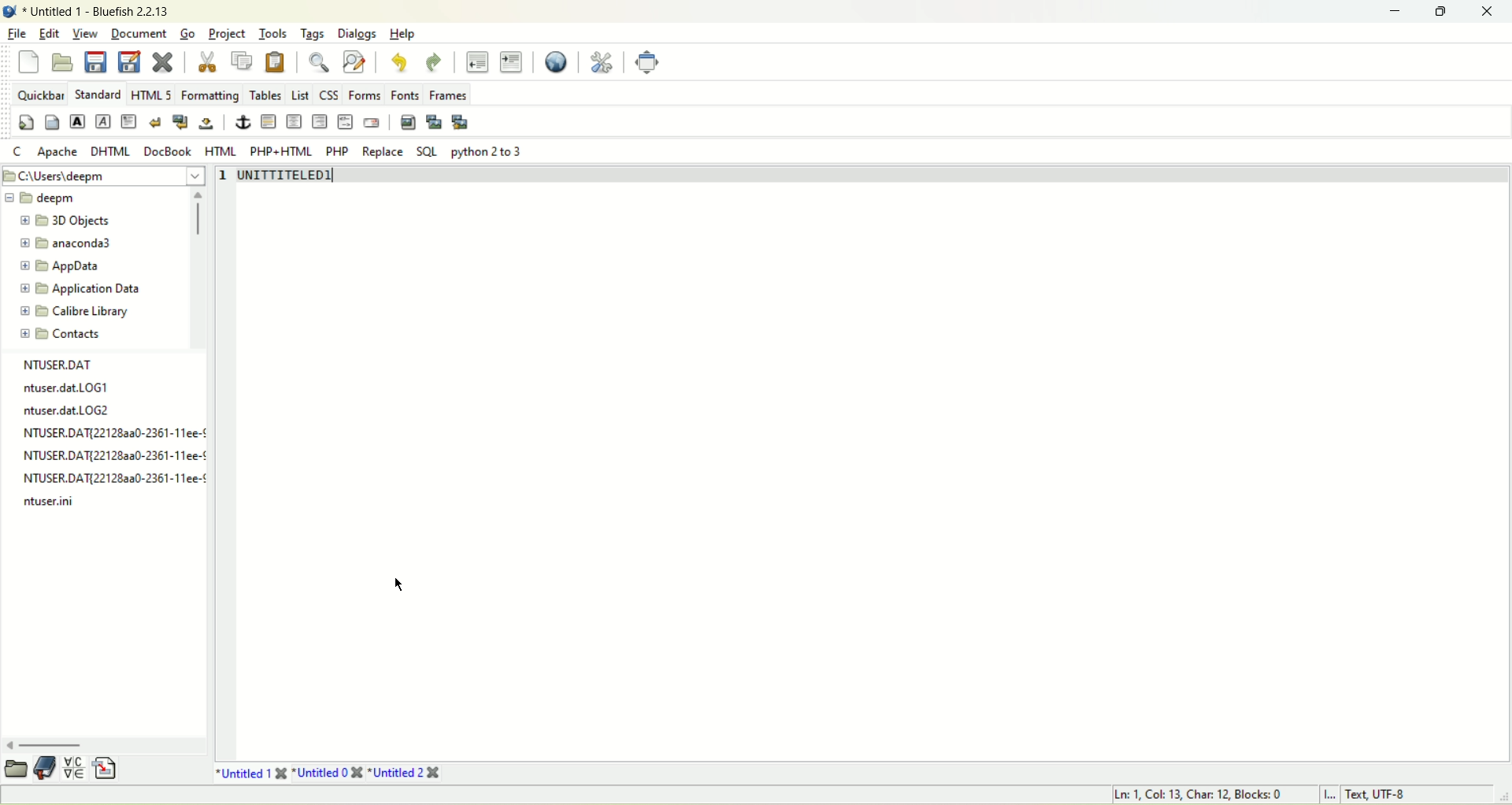 The height and width of the screenshot is (805, 1512). Describe the element at coordinates (556, 62) in the screenshot. I see `preview in browser` at that location.